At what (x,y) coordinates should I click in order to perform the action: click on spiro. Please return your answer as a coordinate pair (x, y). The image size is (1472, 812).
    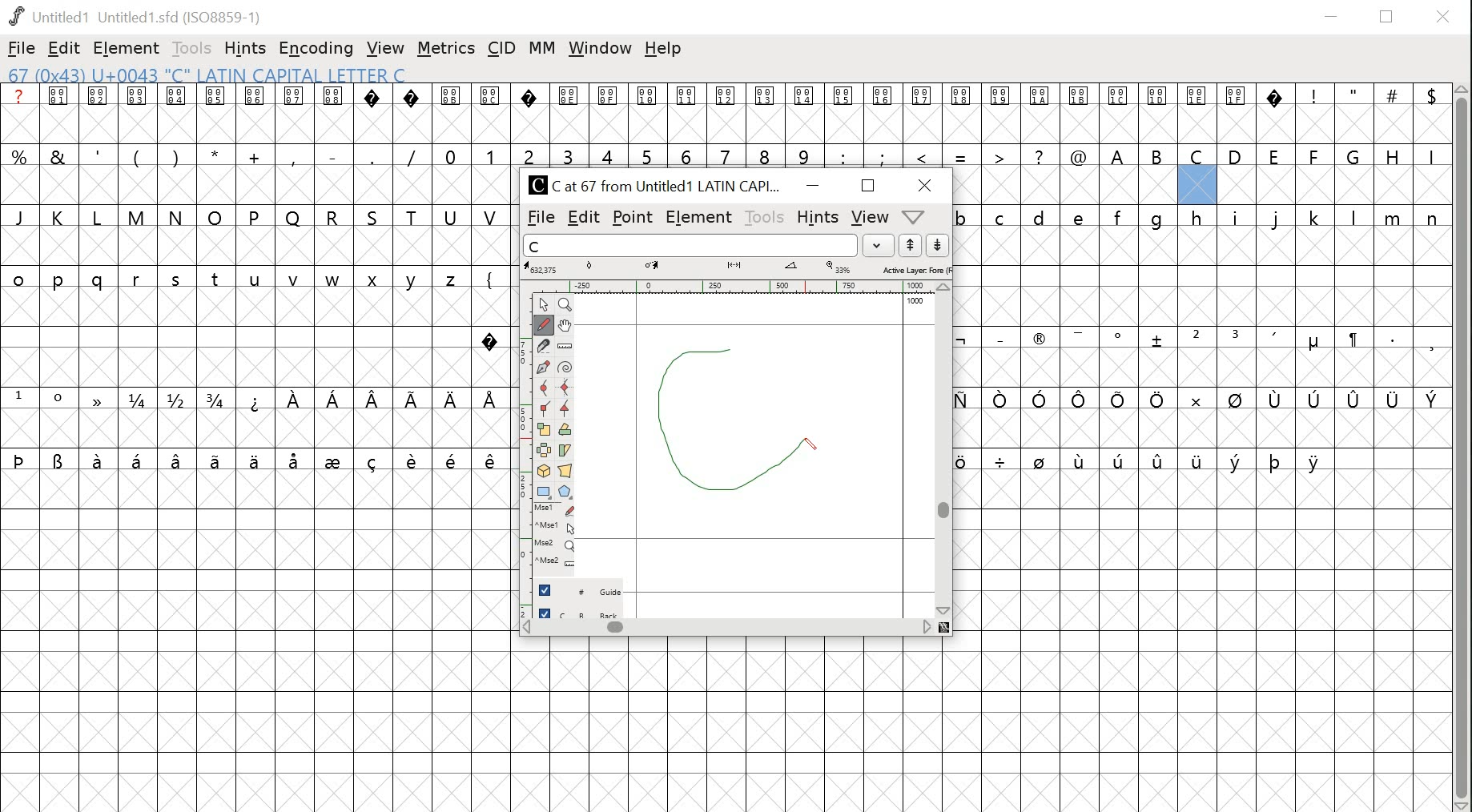
    Looking at the image, I should click on (567, 368).